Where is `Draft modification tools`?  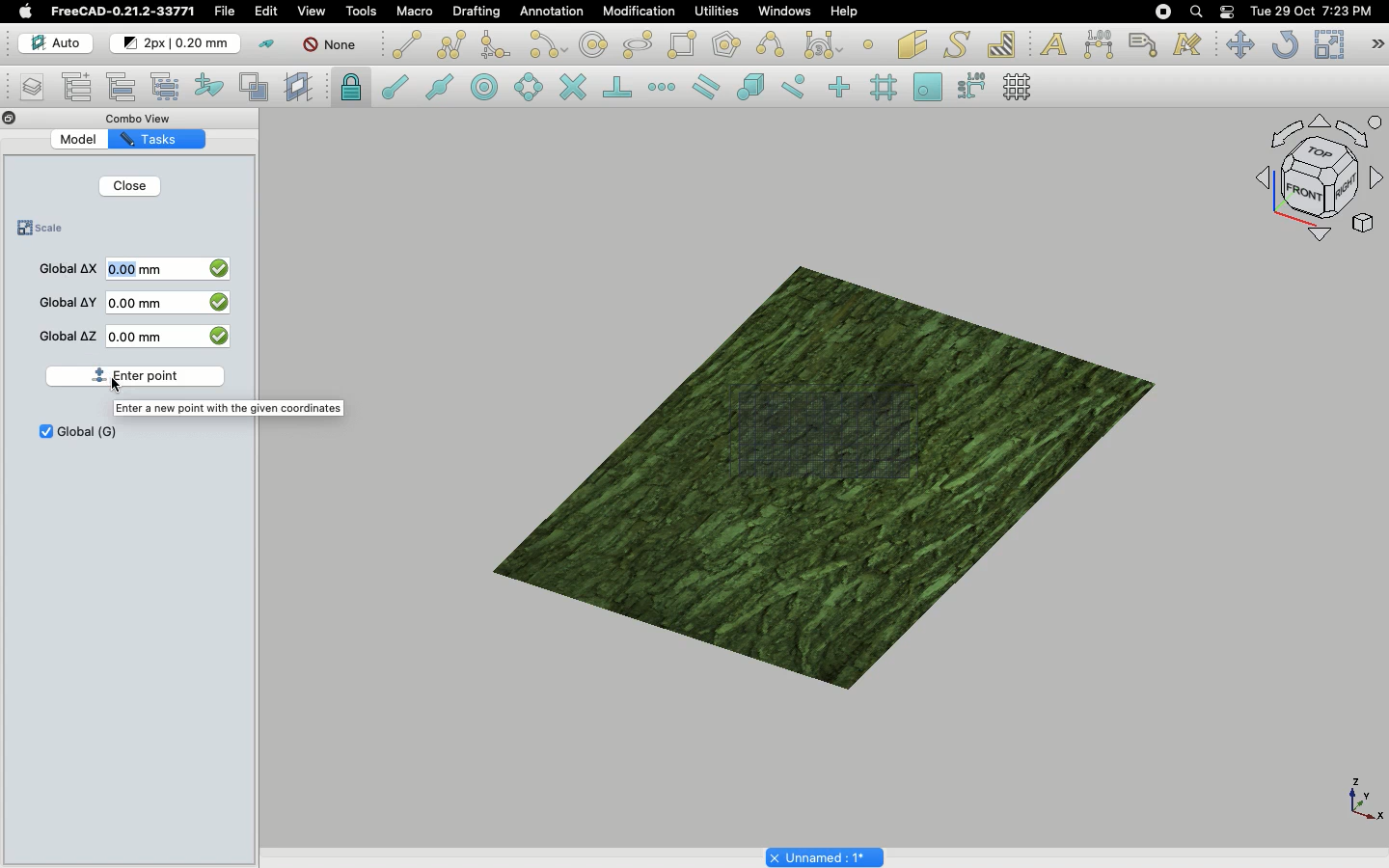
Draft modification tools is located at coordinates (1377, 44).